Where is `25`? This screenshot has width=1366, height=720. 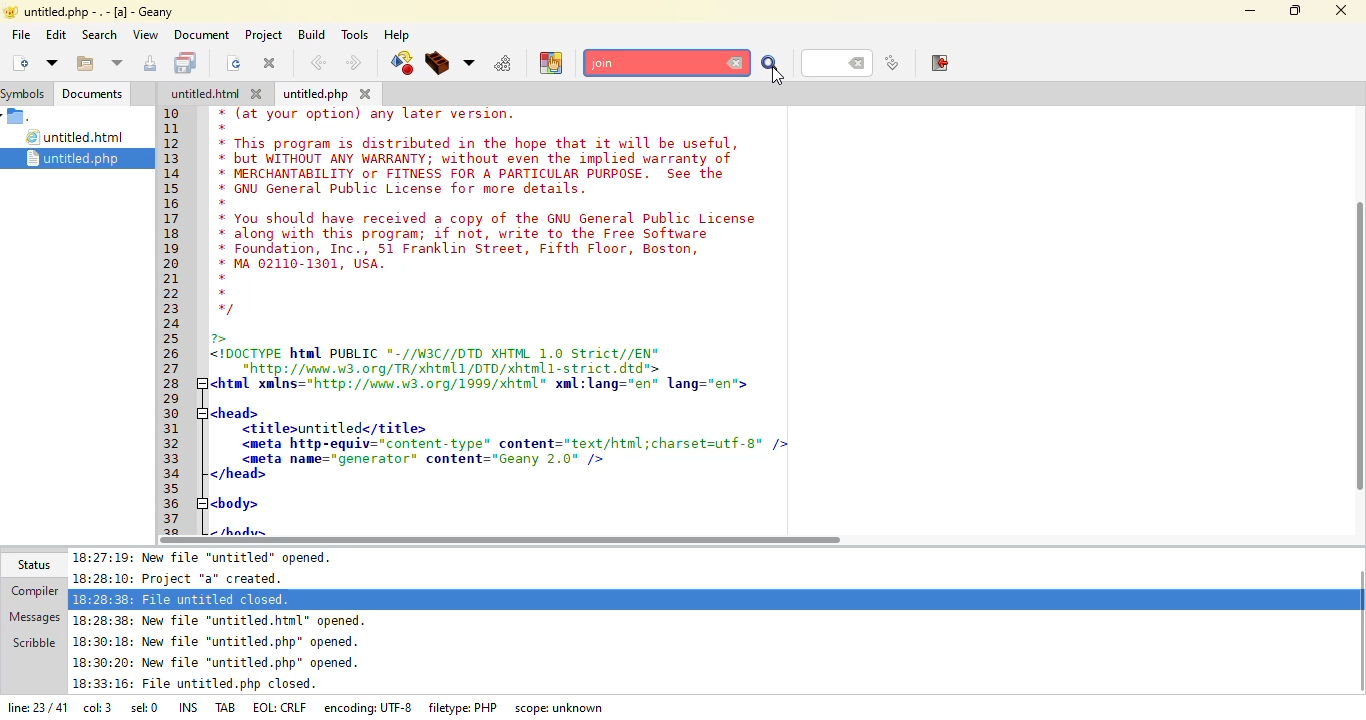
25 is located at coordinates (173, 338).